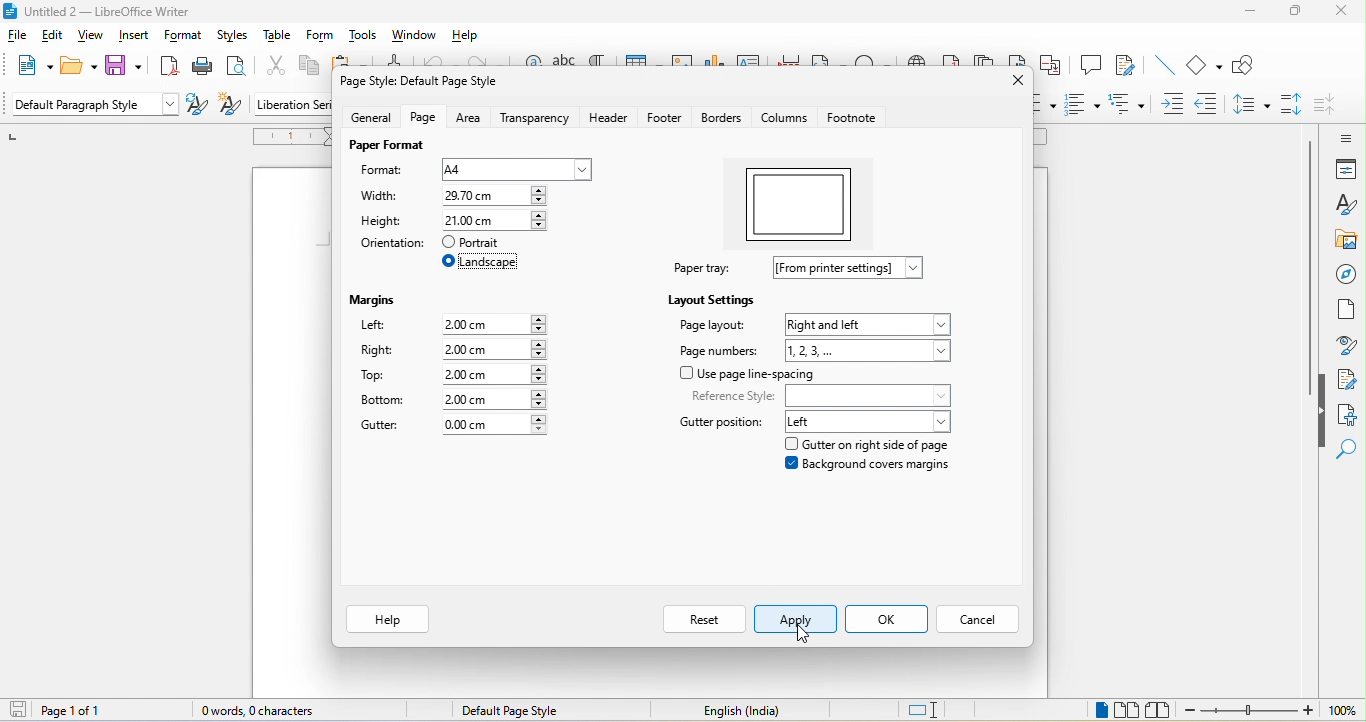  I want to click on new, so click(30, 64).